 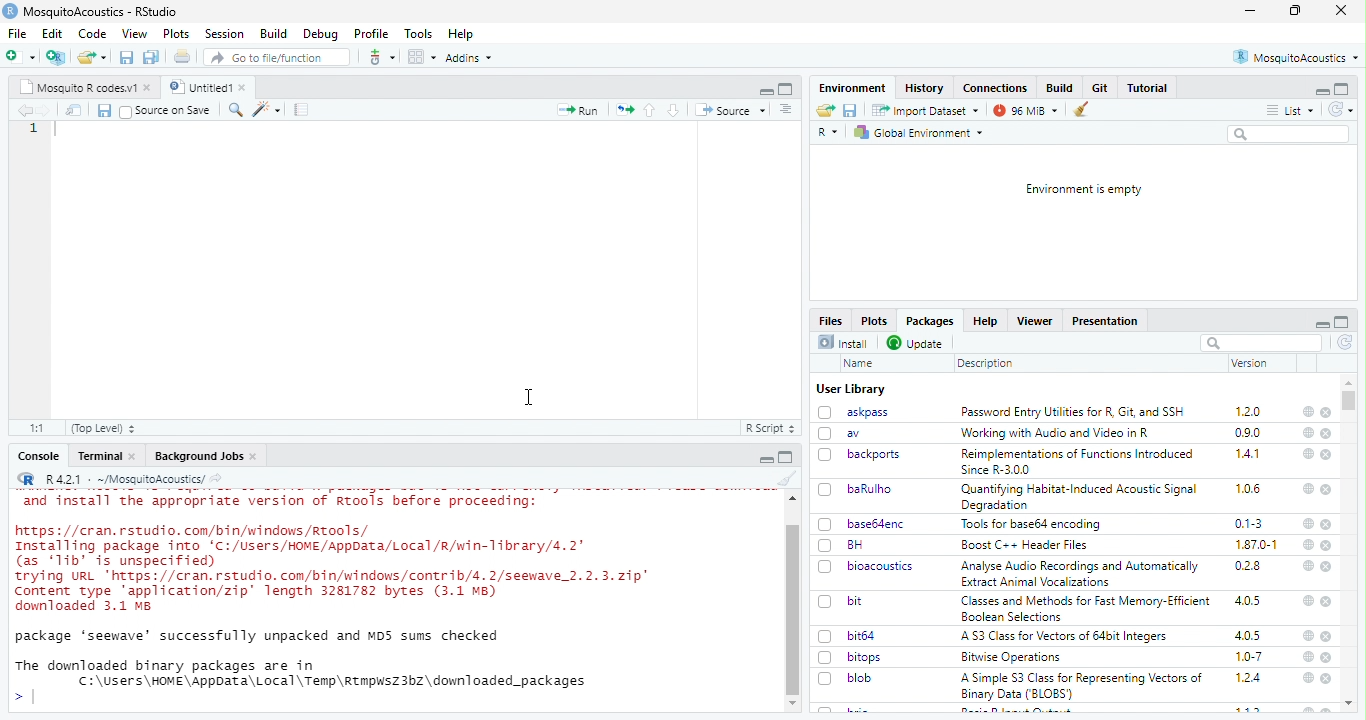 I want to click on close, so click(x=254, y=457).